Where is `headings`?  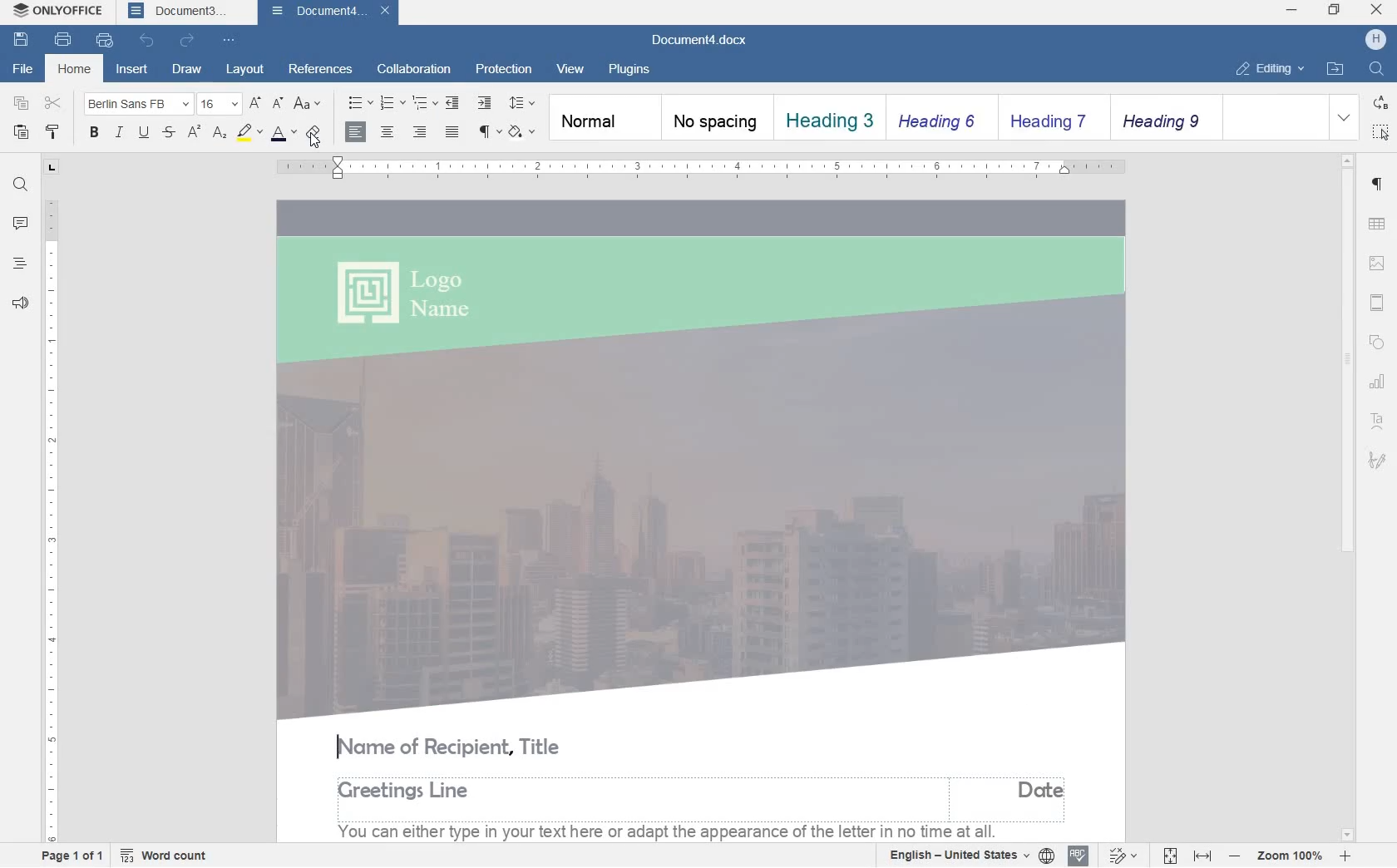
headings is located at coordinates (18, 267).